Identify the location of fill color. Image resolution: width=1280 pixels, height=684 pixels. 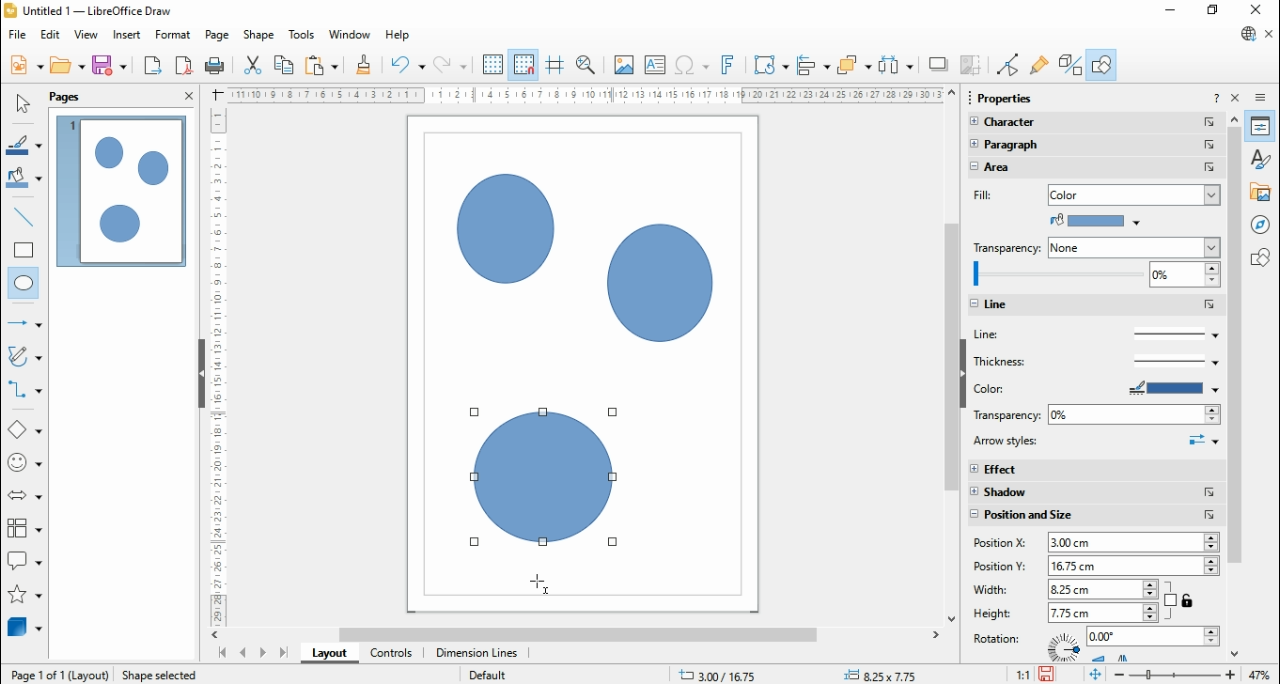
(25, 179).